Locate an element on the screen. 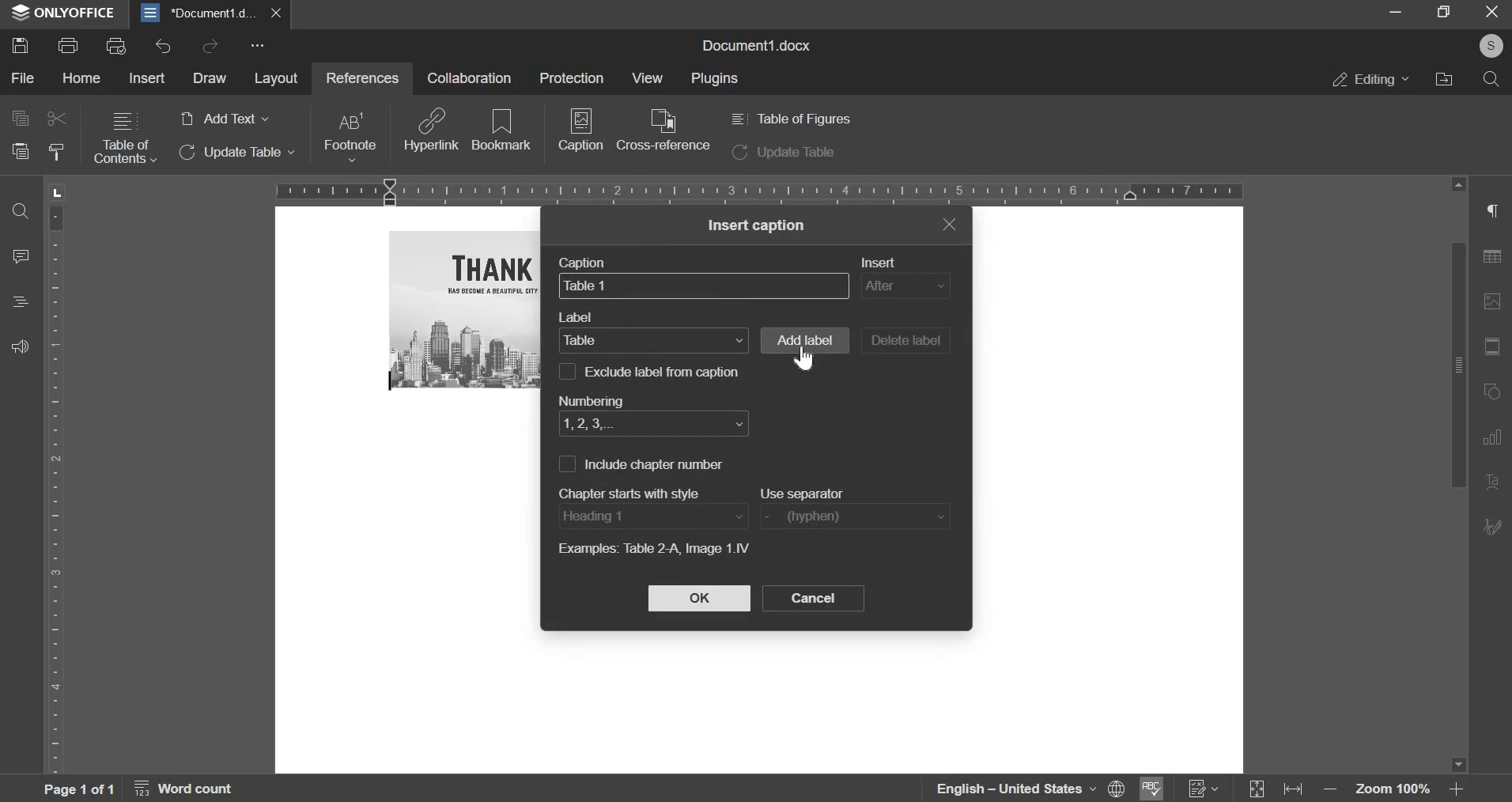 Image resolution: width=1512 pixels, height=802 pixels. horizontal scale is located at coordinates (759, 190).